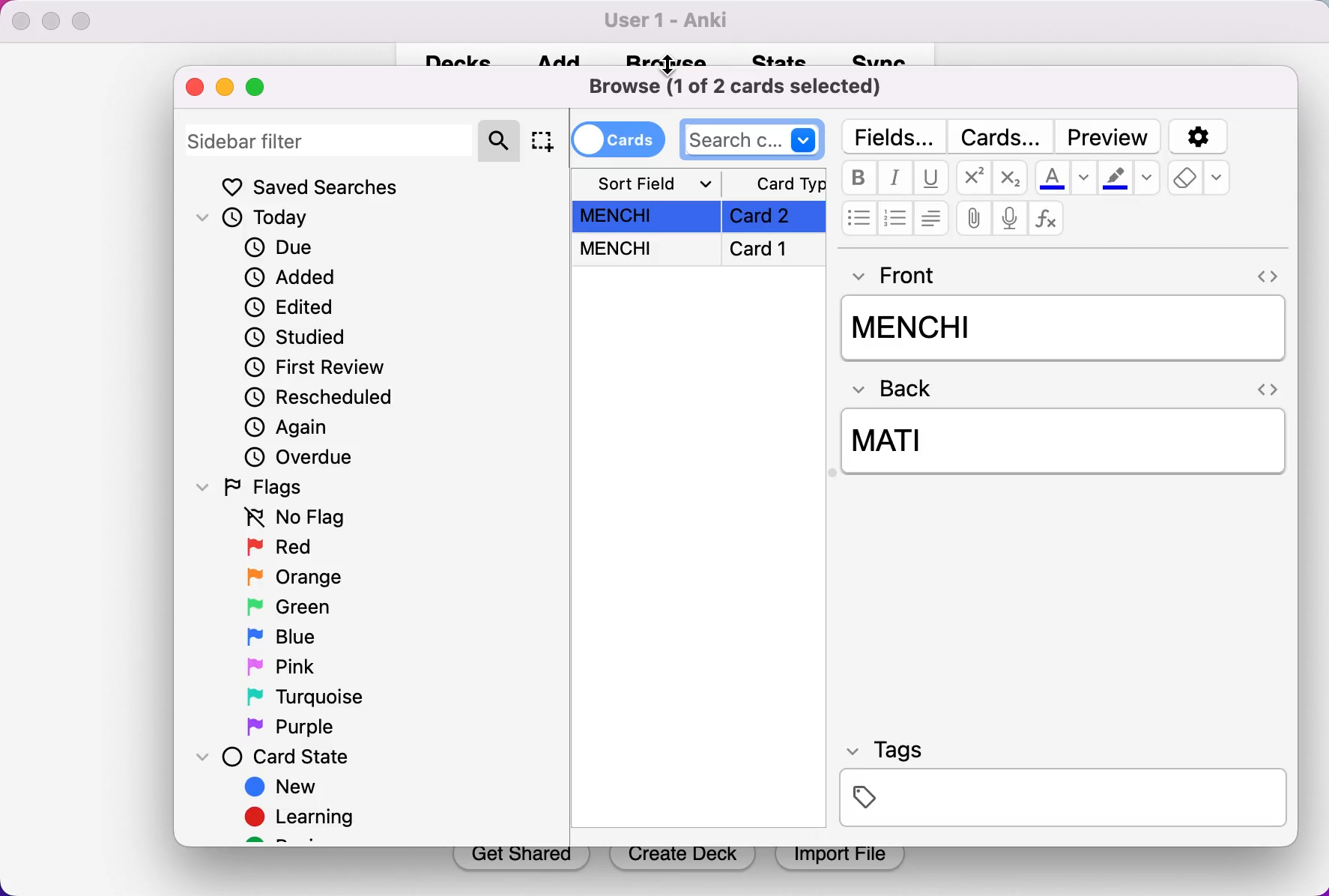 This screenshot has height=896, width=1329. I want to click on italic text, so click(894, 178).